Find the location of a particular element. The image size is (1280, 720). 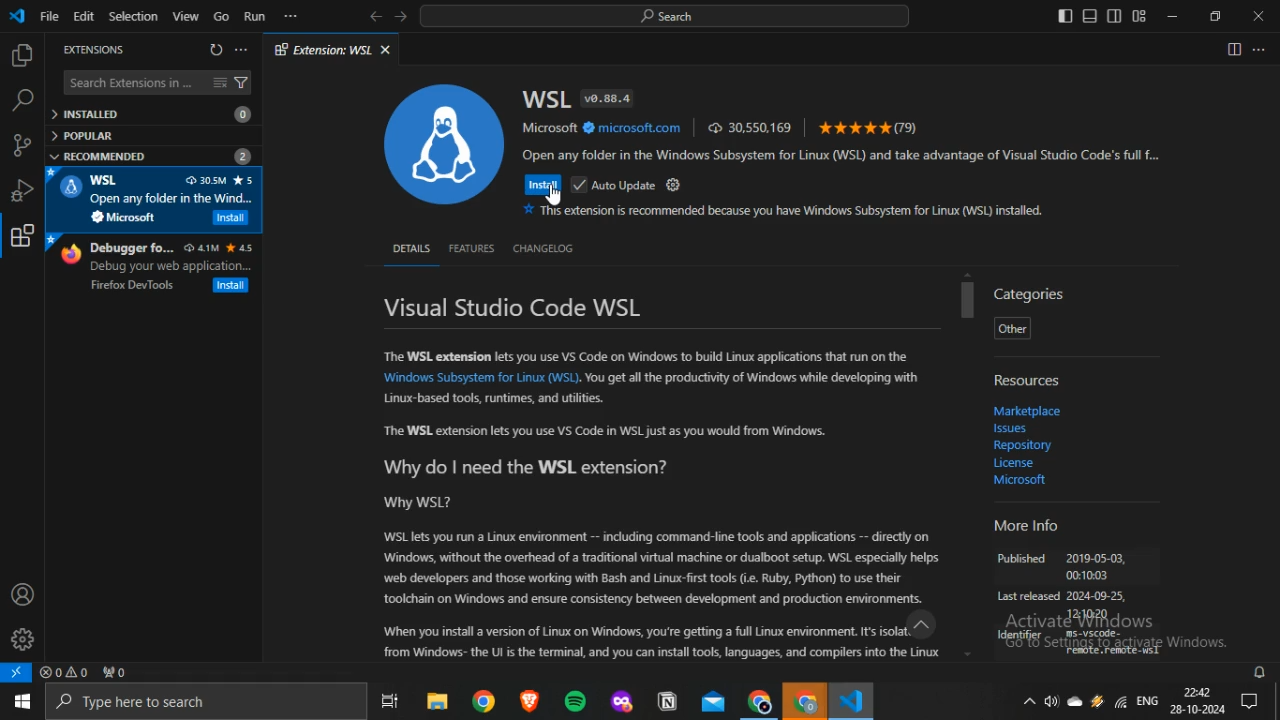

FEATURES is located at coordinates (471, 248).